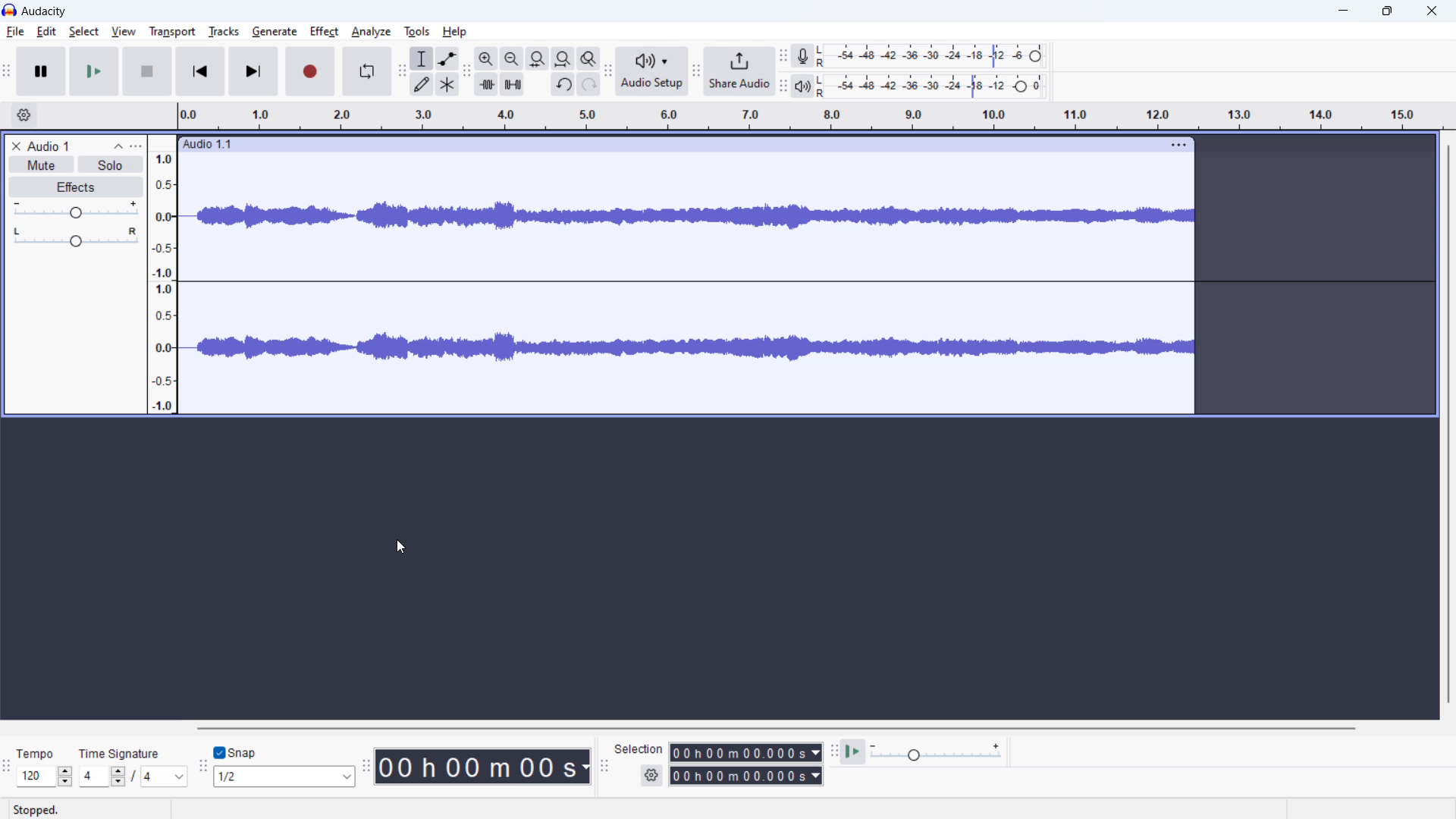  I want to click on edit, so click(47, 32).